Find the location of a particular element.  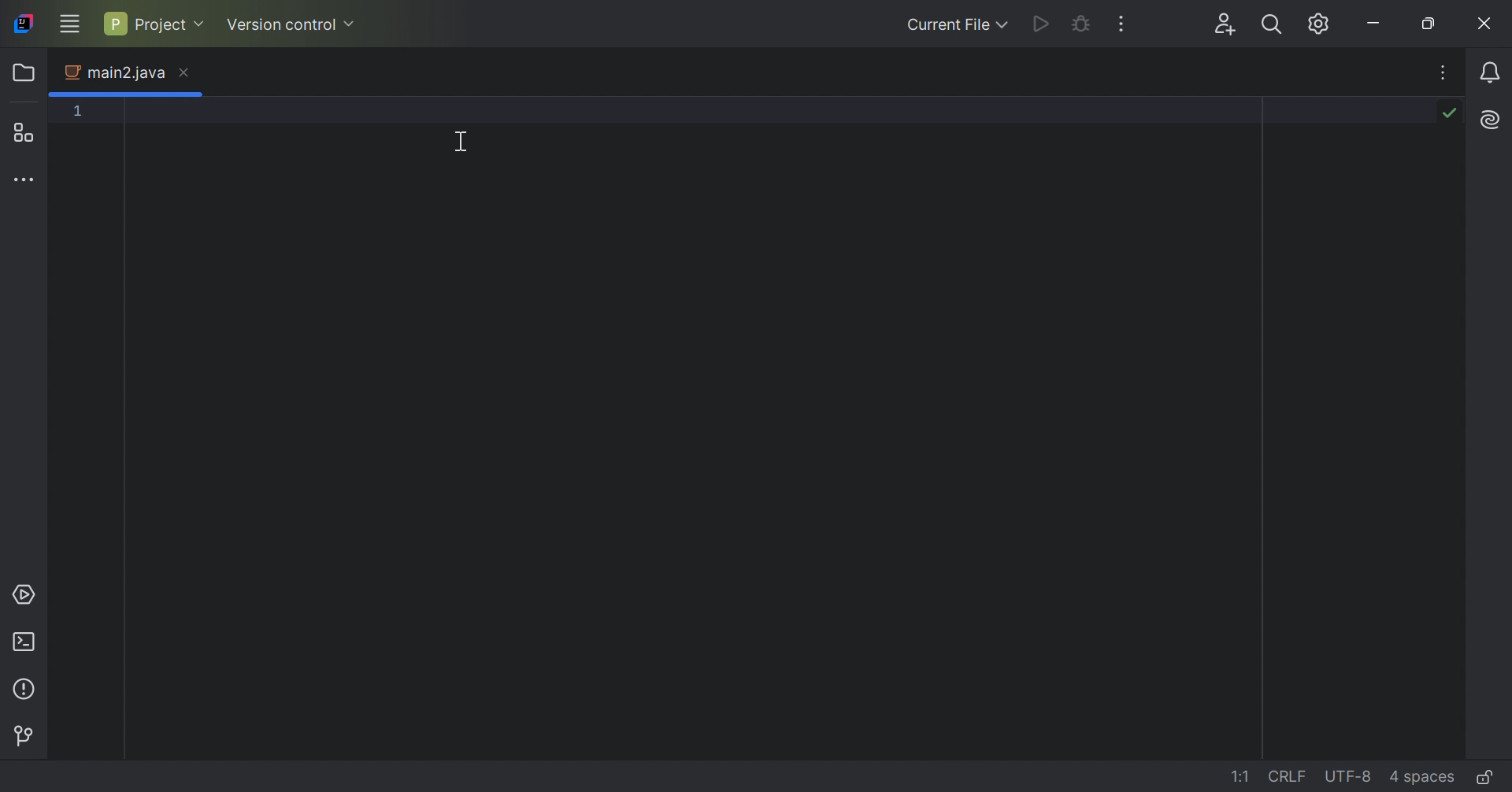

CRLF is located at coordinates (1289, 775).